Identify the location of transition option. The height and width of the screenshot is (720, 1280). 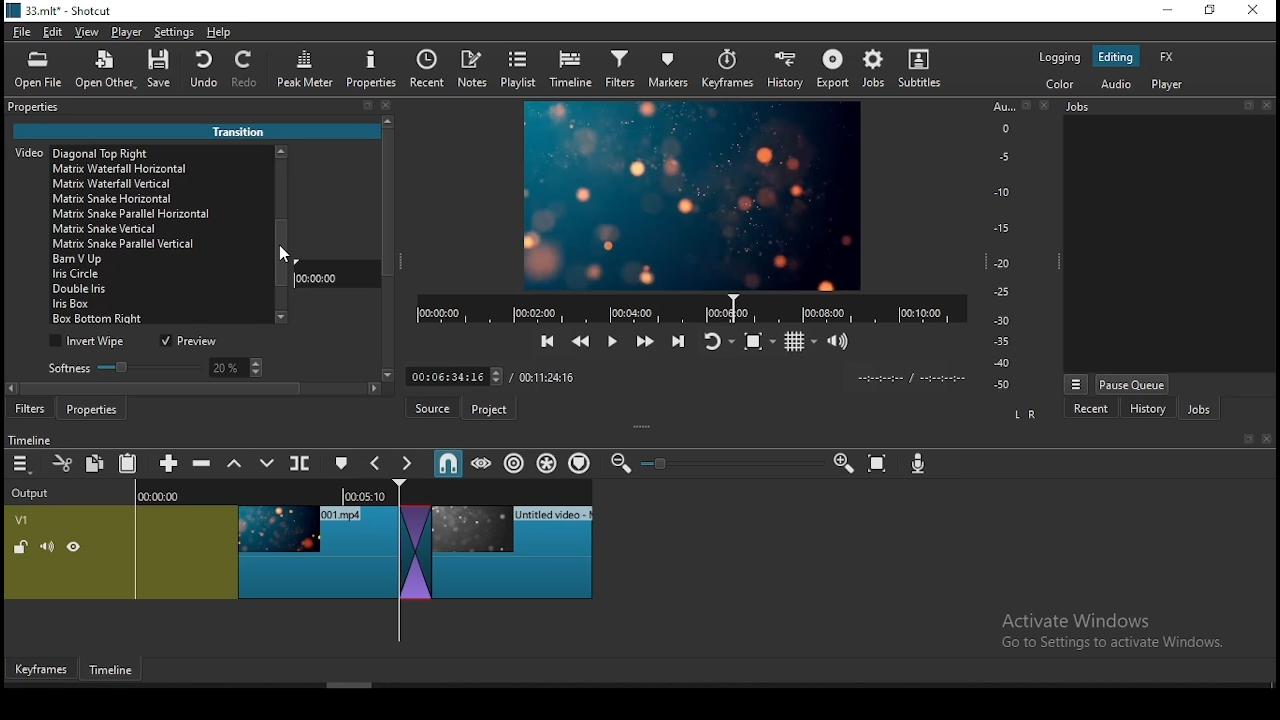
(161, 291).